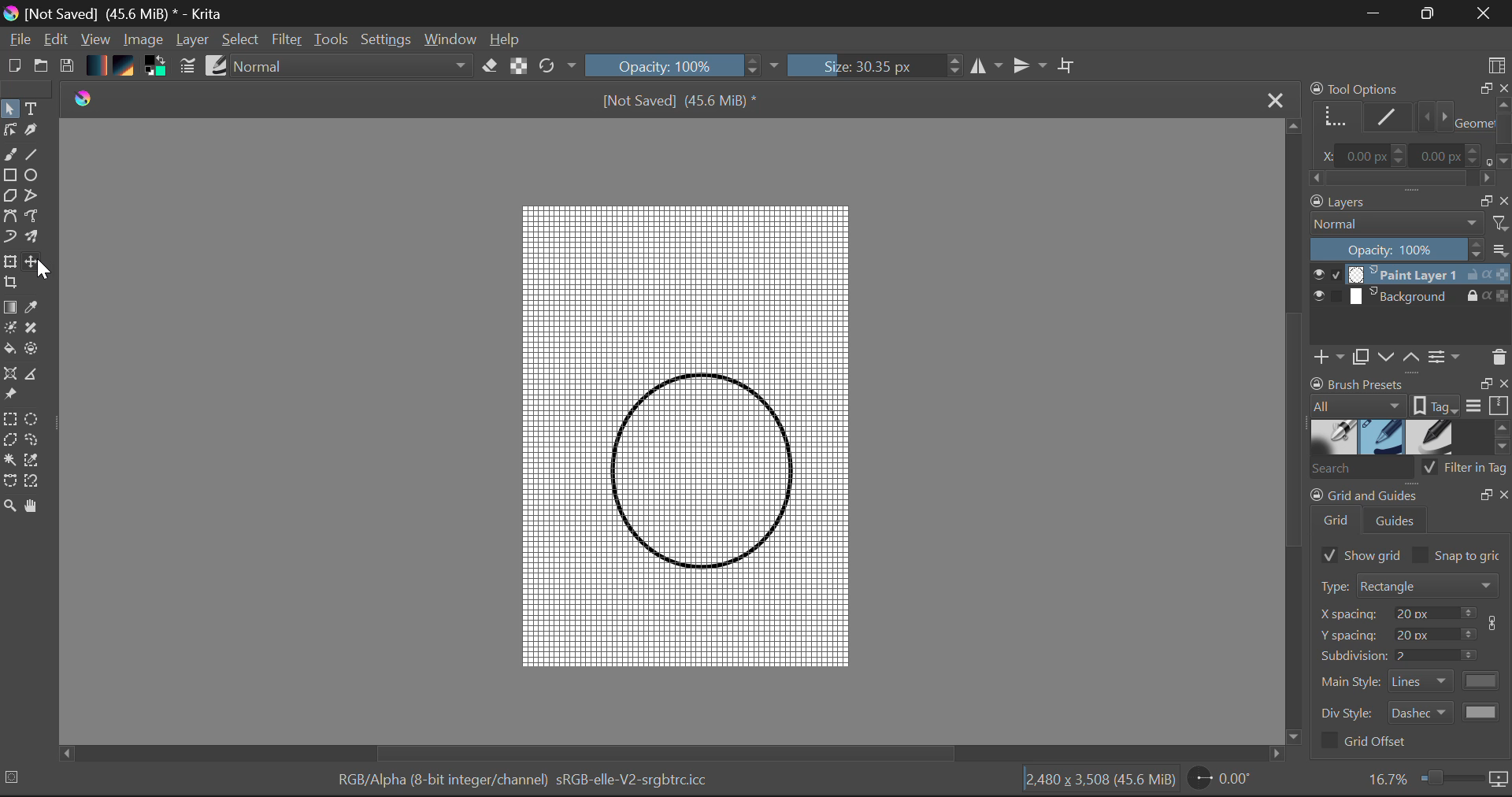 The height and width of the screenshot is (797, 1512). What do you see at coordinates (9, 262) in the screenshot?
I see `Transform Layer` at bounding box center [9, 262].